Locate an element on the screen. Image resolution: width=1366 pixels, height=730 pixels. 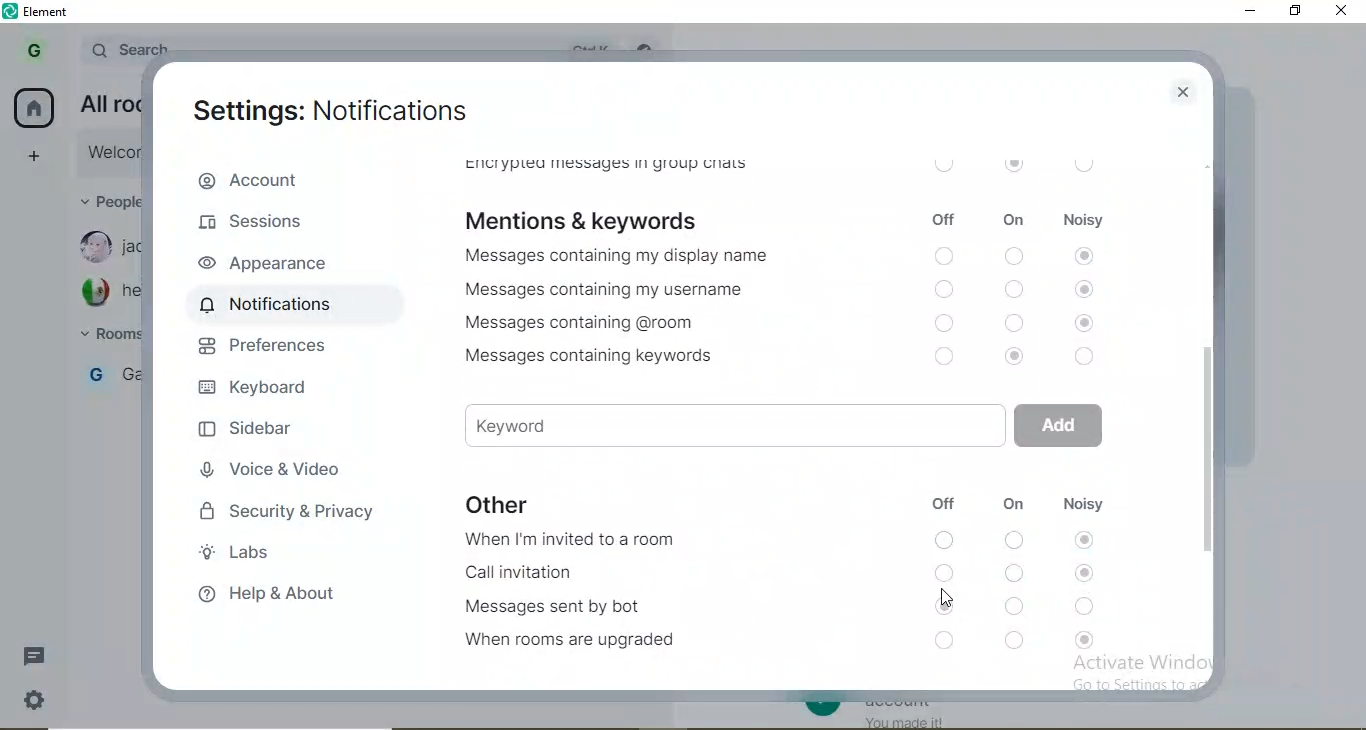
noisy switch is located at coordinates (1087, 255).